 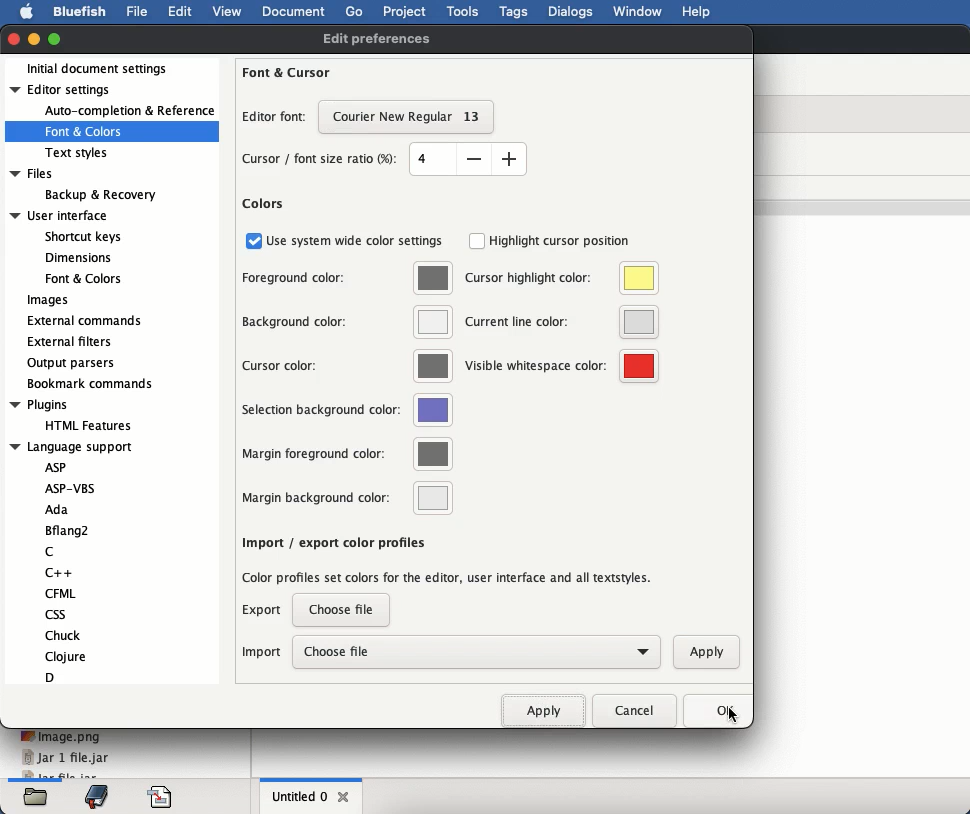 What do you see at coordinates (355, 11) in the screenshot?
I see `go` at bounding box center [355, 11].